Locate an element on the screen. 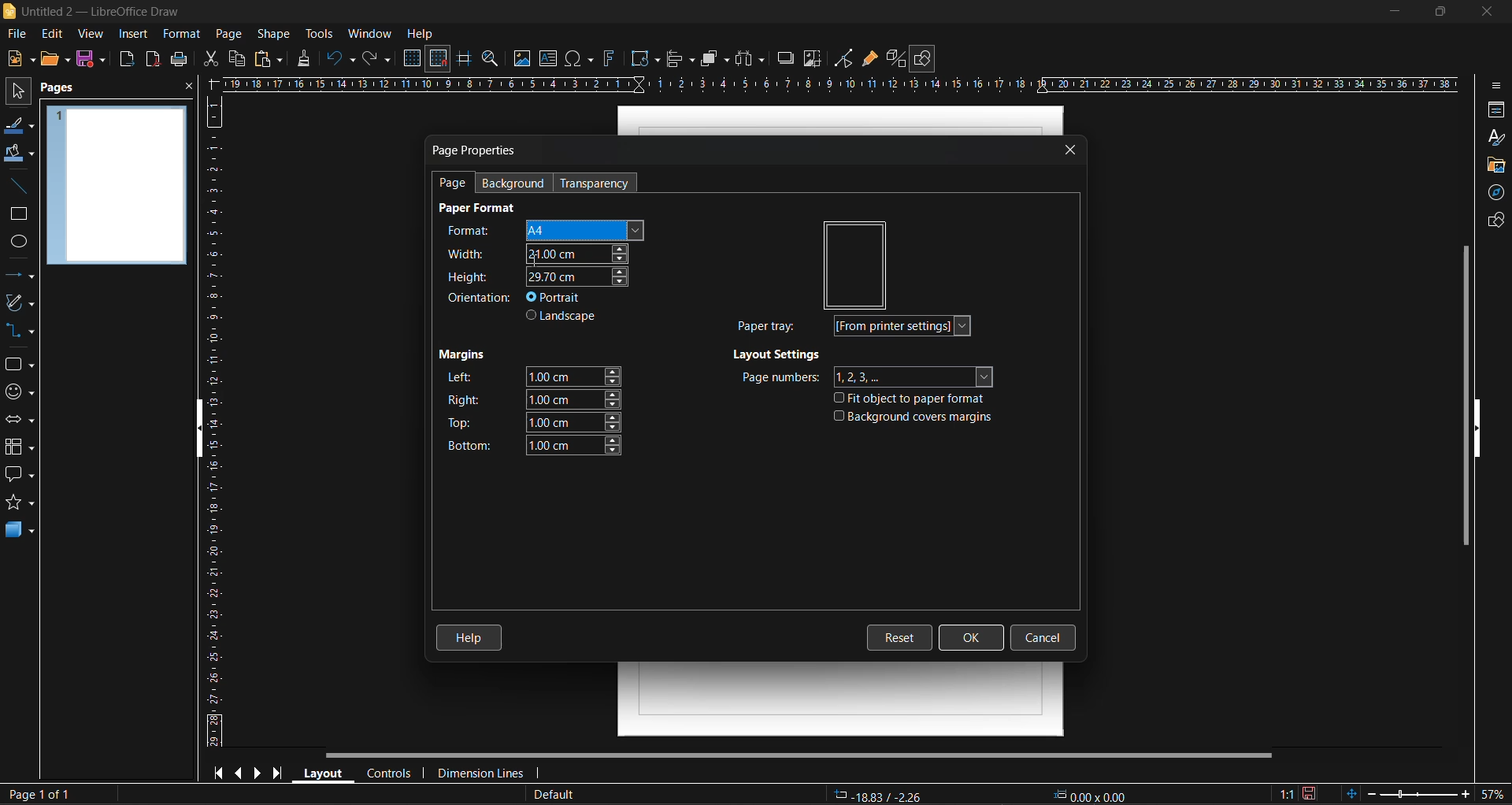 This screenshot has height=805, width=1512. page preview is located at coordinates (117, 187).